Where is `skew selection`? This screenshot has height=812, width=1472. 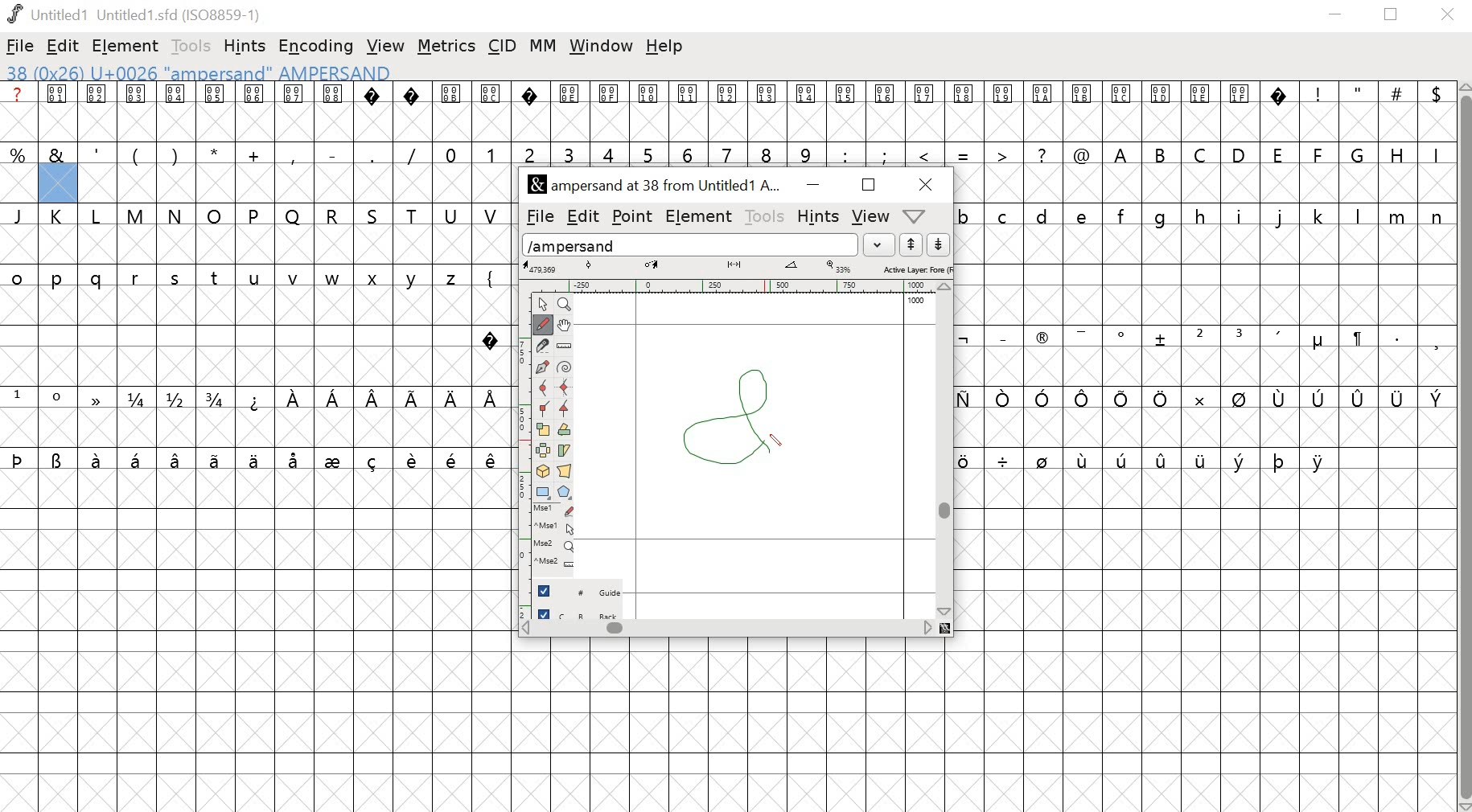
skew selection is located at coordinates (566, 450).